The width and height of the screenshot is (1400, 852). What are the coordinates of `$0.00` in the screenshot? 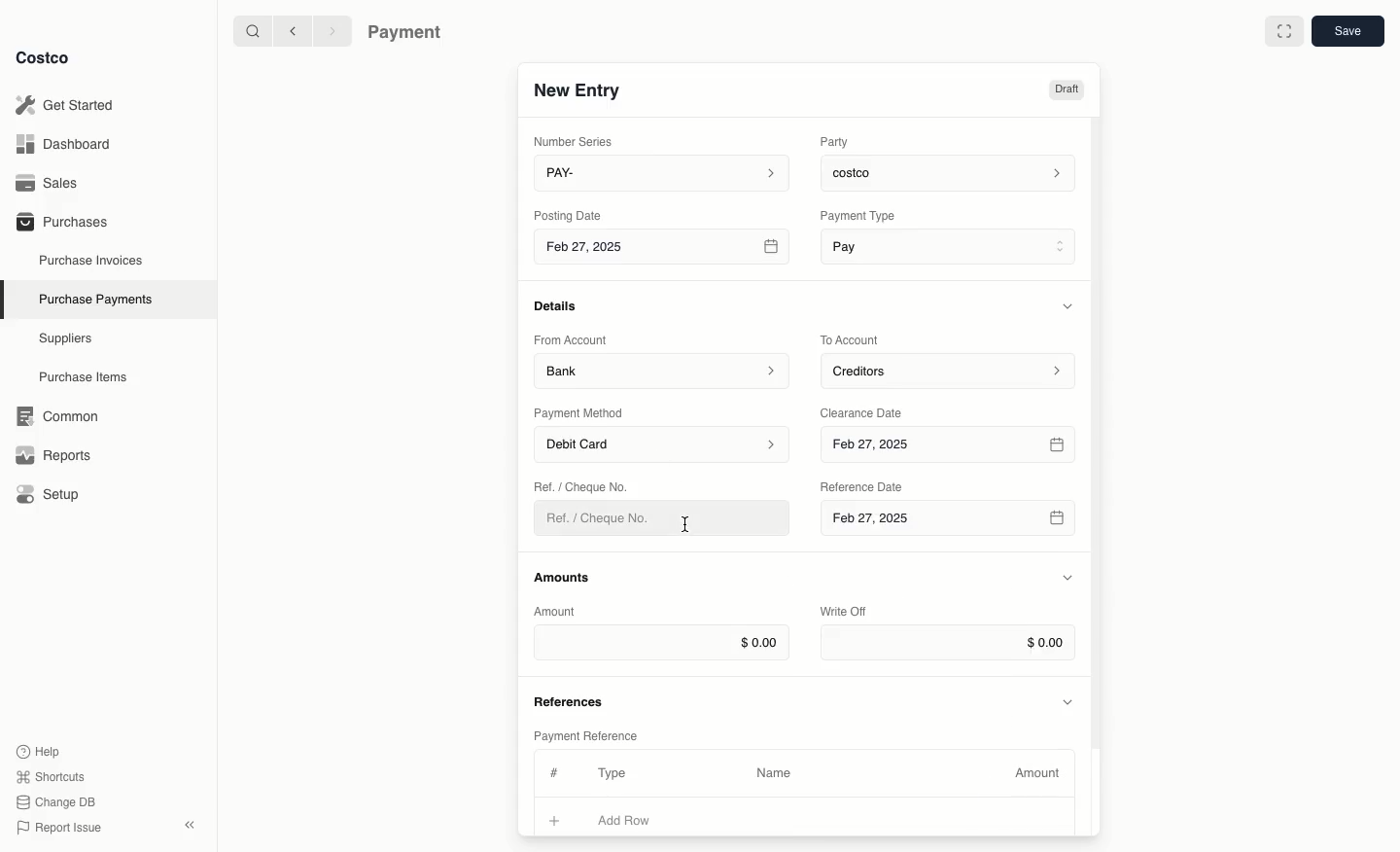 It's located at (661, 642).